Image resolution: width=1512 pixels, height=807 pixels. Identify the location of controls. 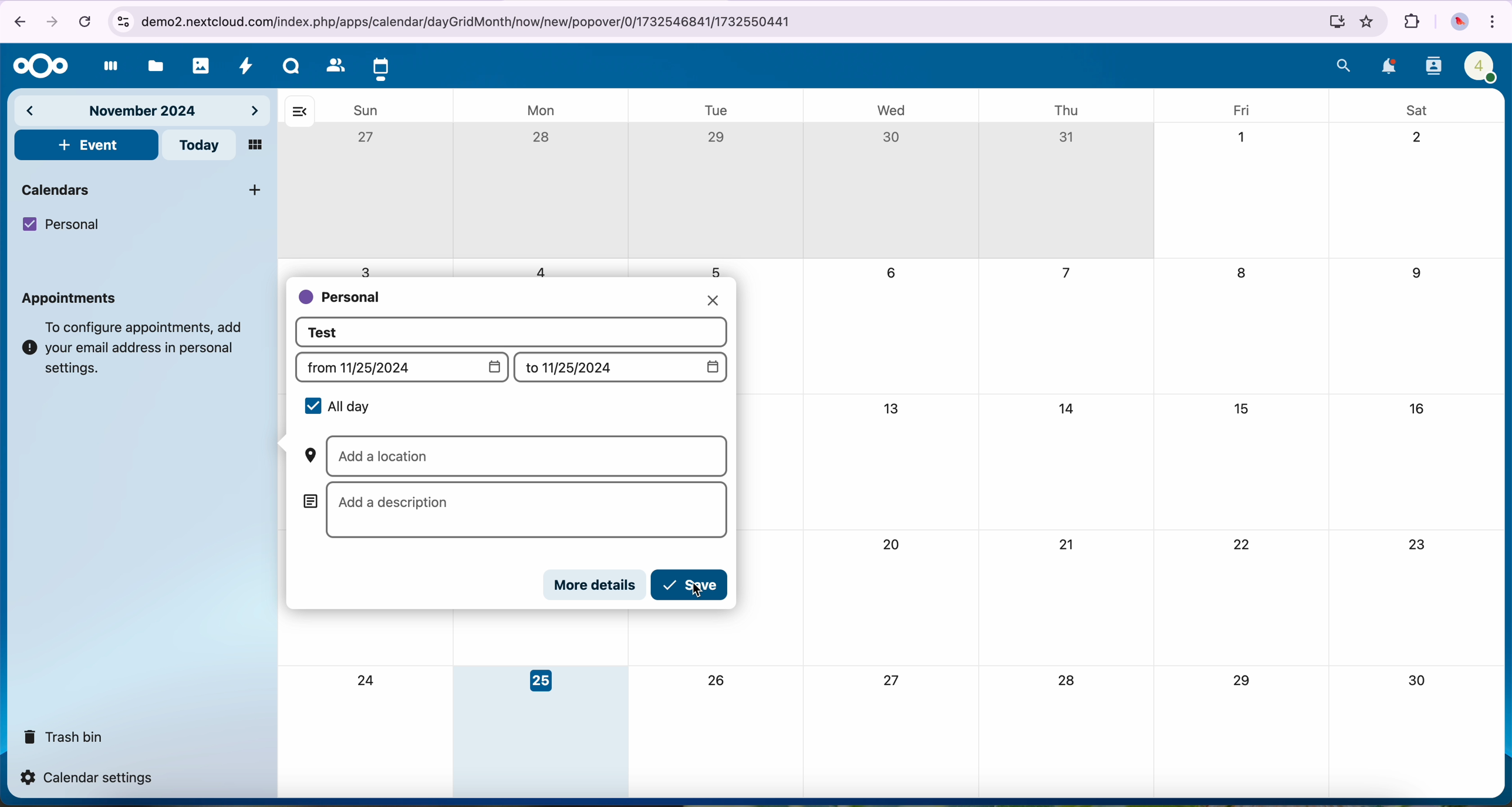
(122, 22).